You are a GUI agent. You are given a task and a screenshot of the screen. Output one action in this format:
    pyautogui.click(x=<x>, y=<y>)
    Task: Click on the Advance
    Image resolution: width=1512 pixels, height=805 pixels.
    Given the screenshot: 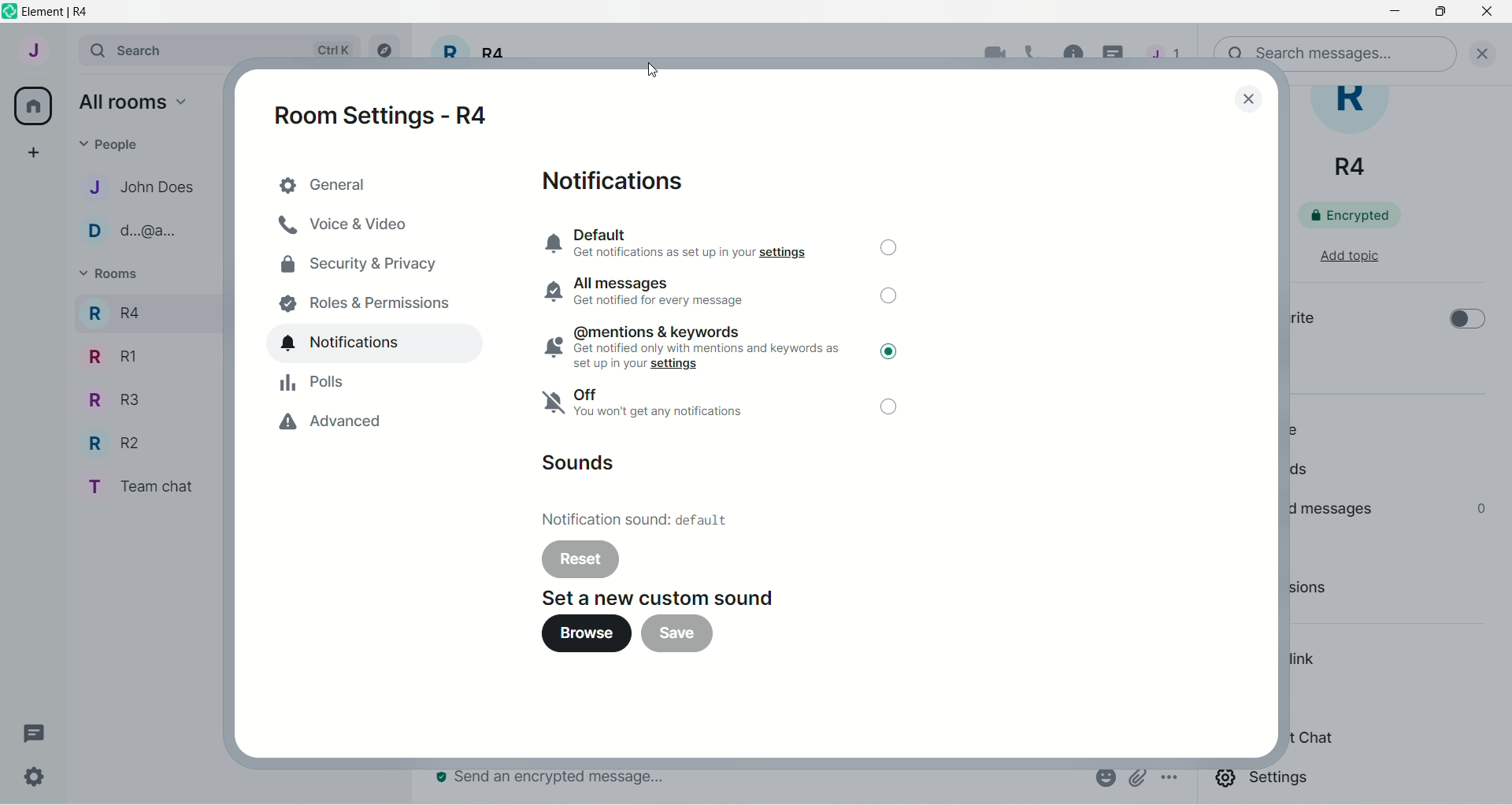 What is the action you would take?
    pyautogui.click(x=359, y=424)
    